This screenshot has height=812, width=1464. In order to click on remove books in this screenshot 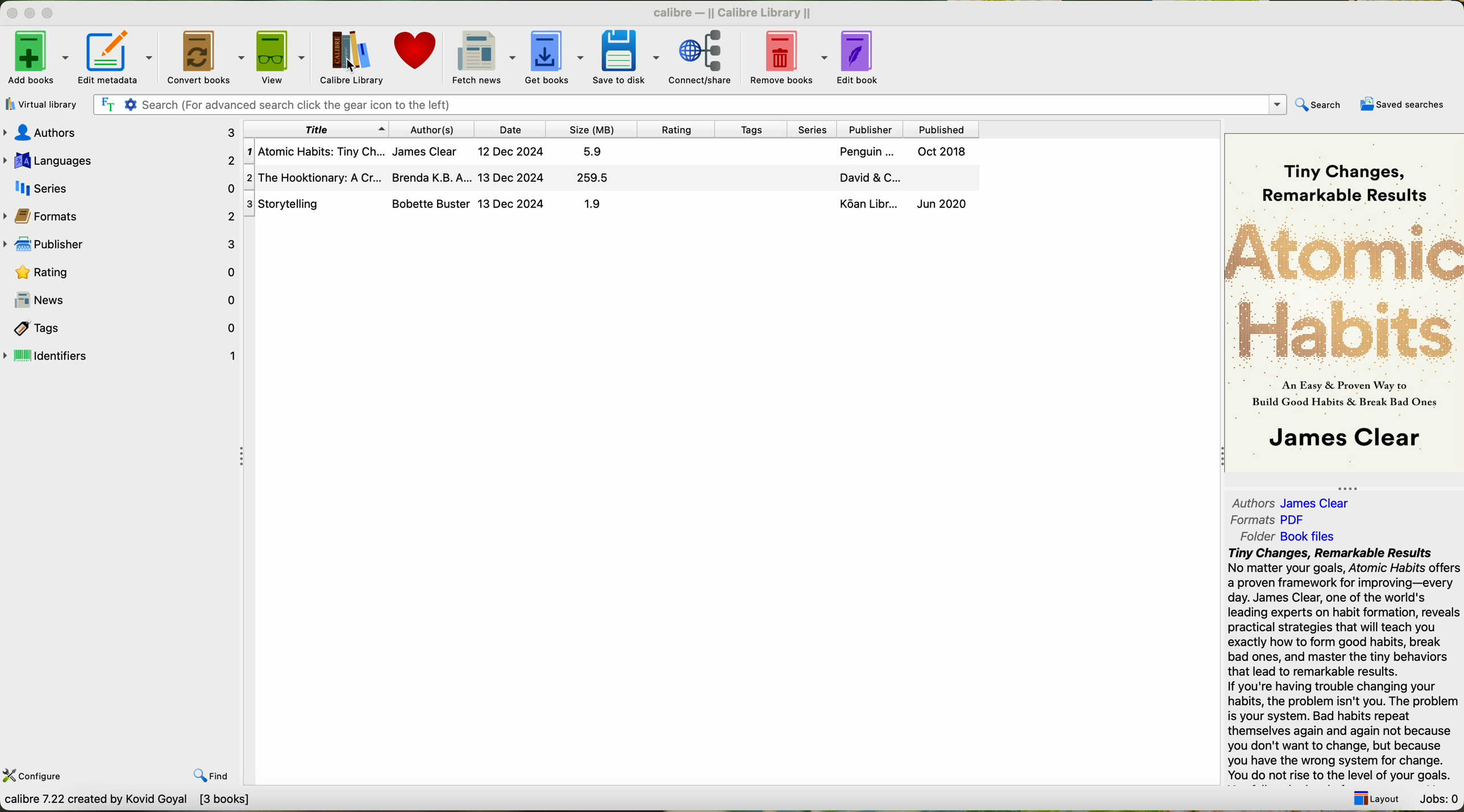, I will do `click(788, 56)`.